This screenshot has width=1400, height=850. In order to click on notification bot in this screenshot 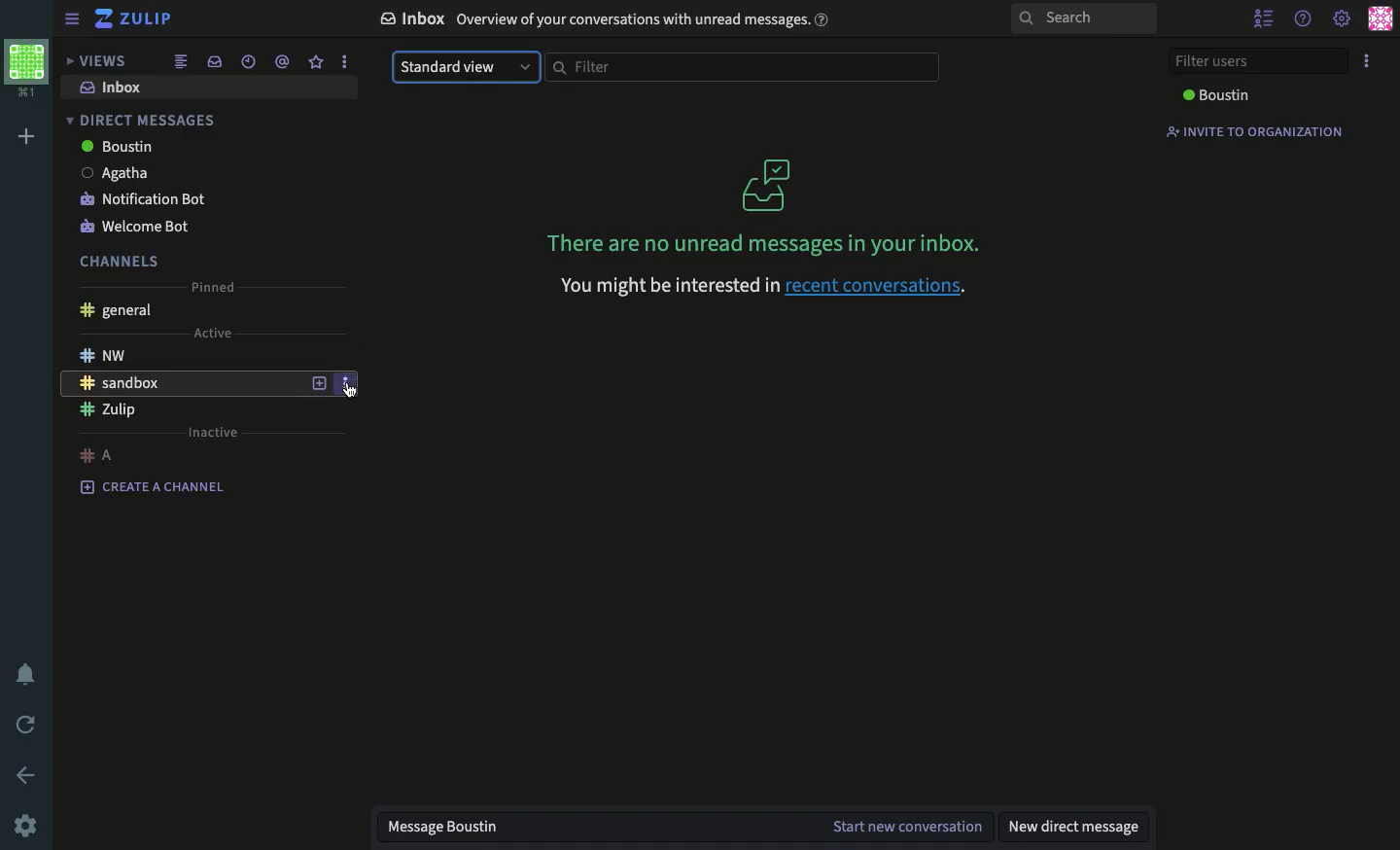, I will do `click(144, 201)`.